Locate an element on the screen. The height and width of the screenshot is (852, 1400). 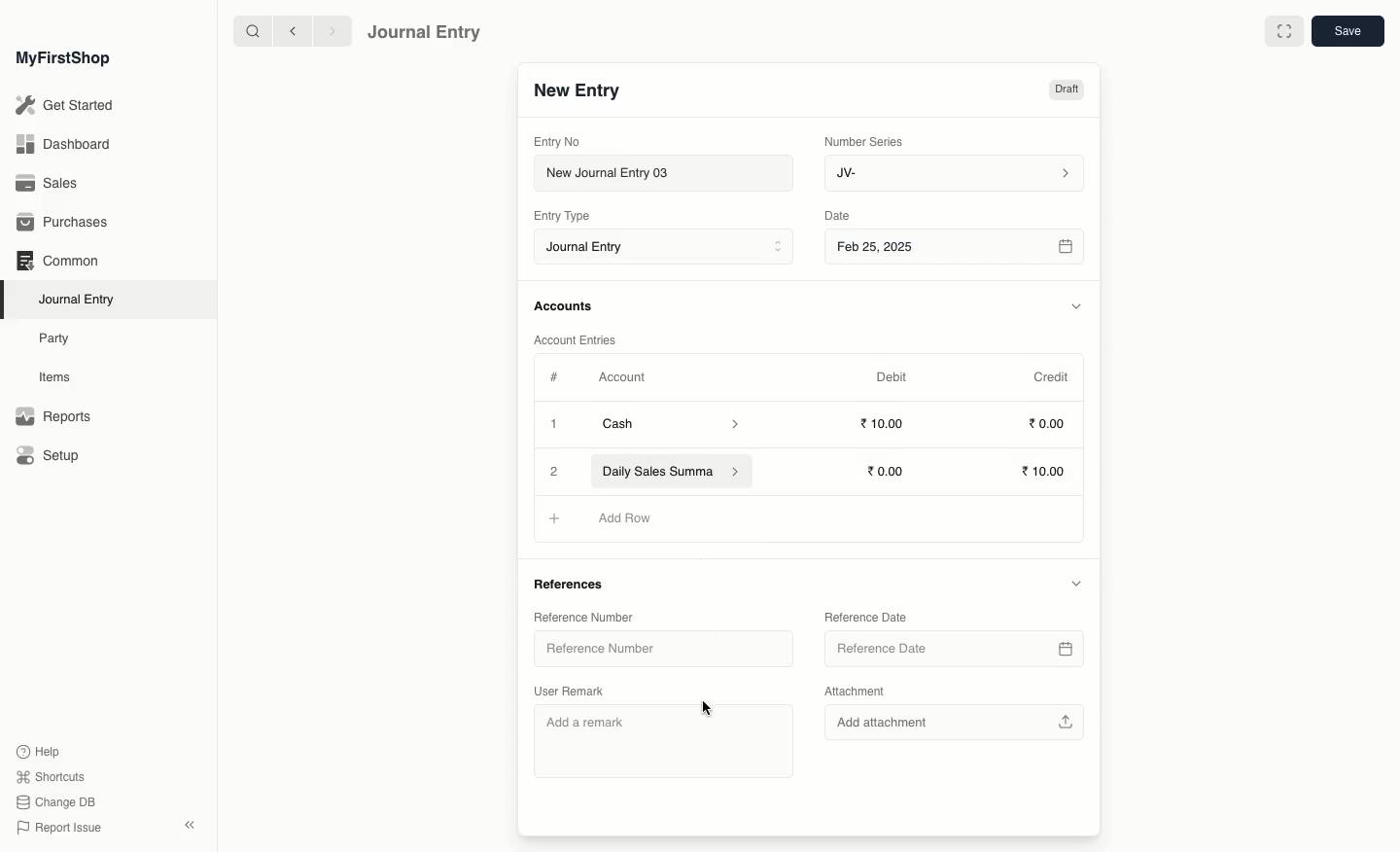
Add is located at coordinates (551, 517).